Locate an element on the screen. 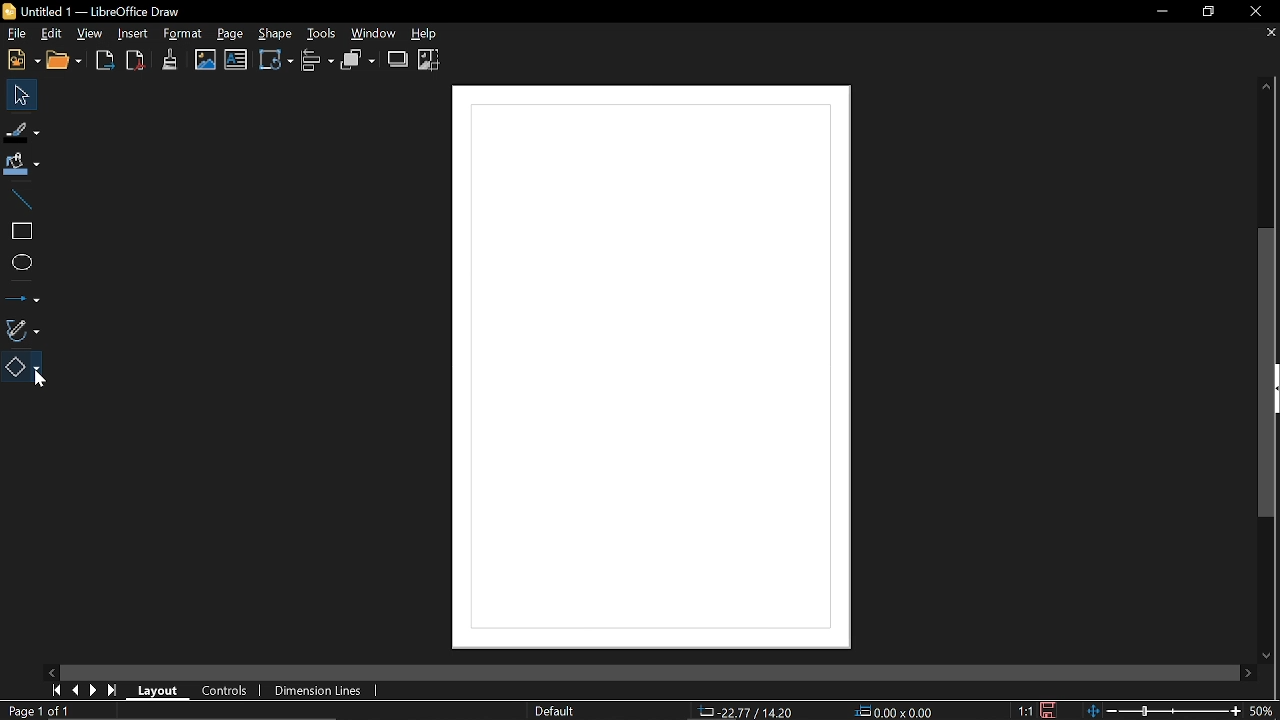  Format is located at coordinates (182, 34).